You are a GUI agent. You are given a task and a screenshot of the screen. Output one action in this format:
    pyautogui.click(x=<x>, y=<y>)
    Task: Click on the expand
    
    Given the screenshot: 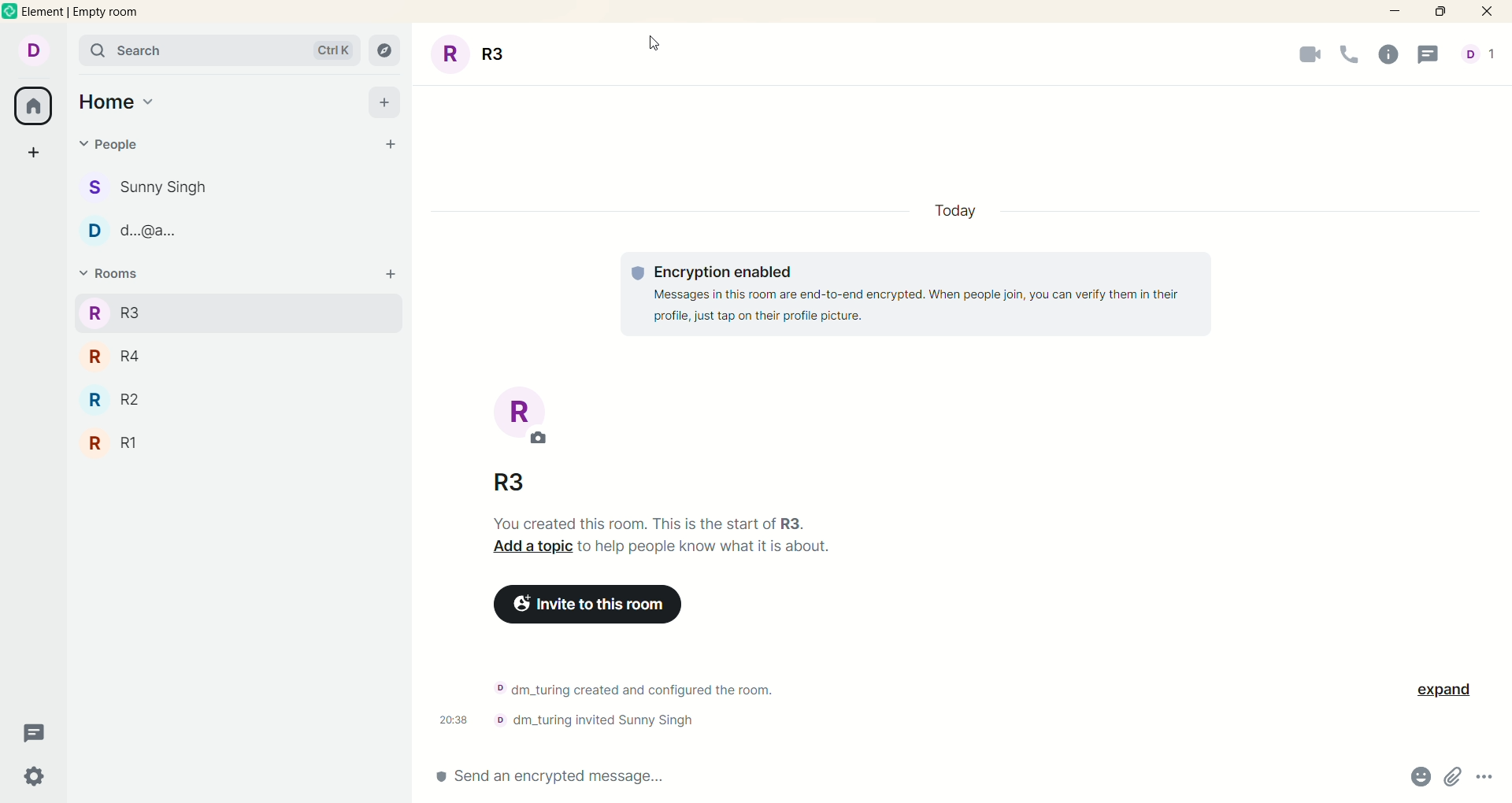 What is the action you would take?
    pyautogui.click(x=1444, y=688)
    